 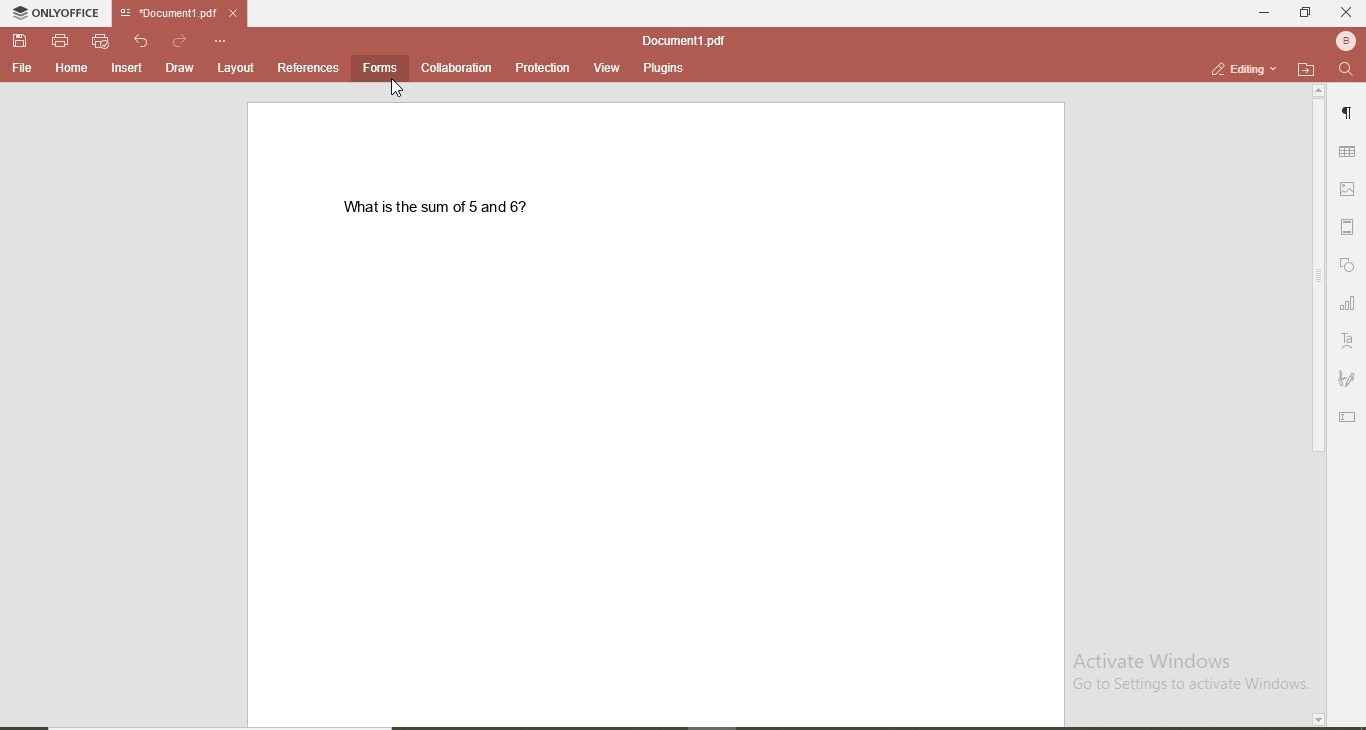 I want to click on what is the sum of 5 and 6?, so click(x=438, y=209).